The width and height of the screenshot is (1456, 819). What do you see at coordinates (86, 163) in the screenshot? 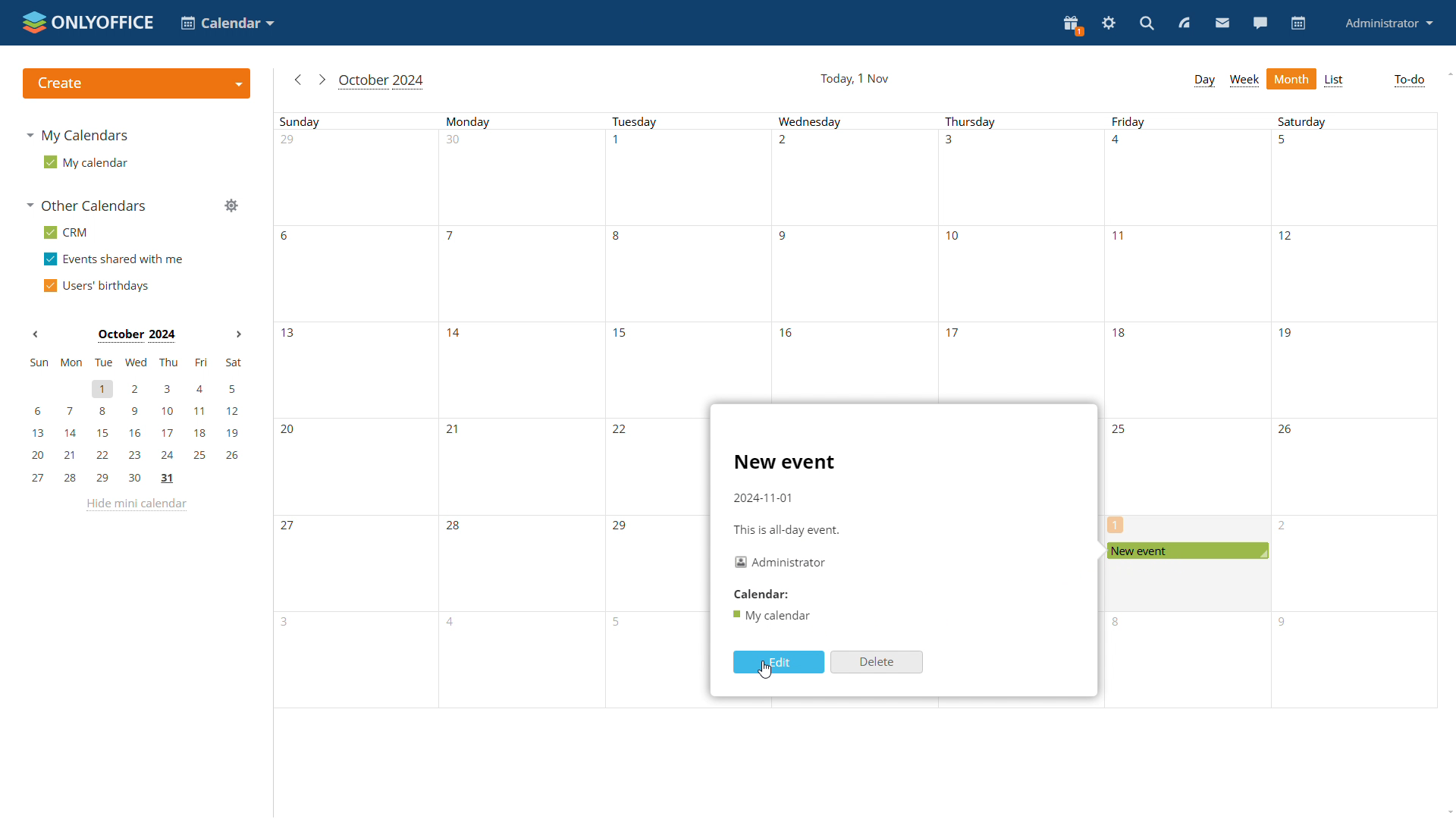
I see `my calendar` at bounding box center [86, 163].